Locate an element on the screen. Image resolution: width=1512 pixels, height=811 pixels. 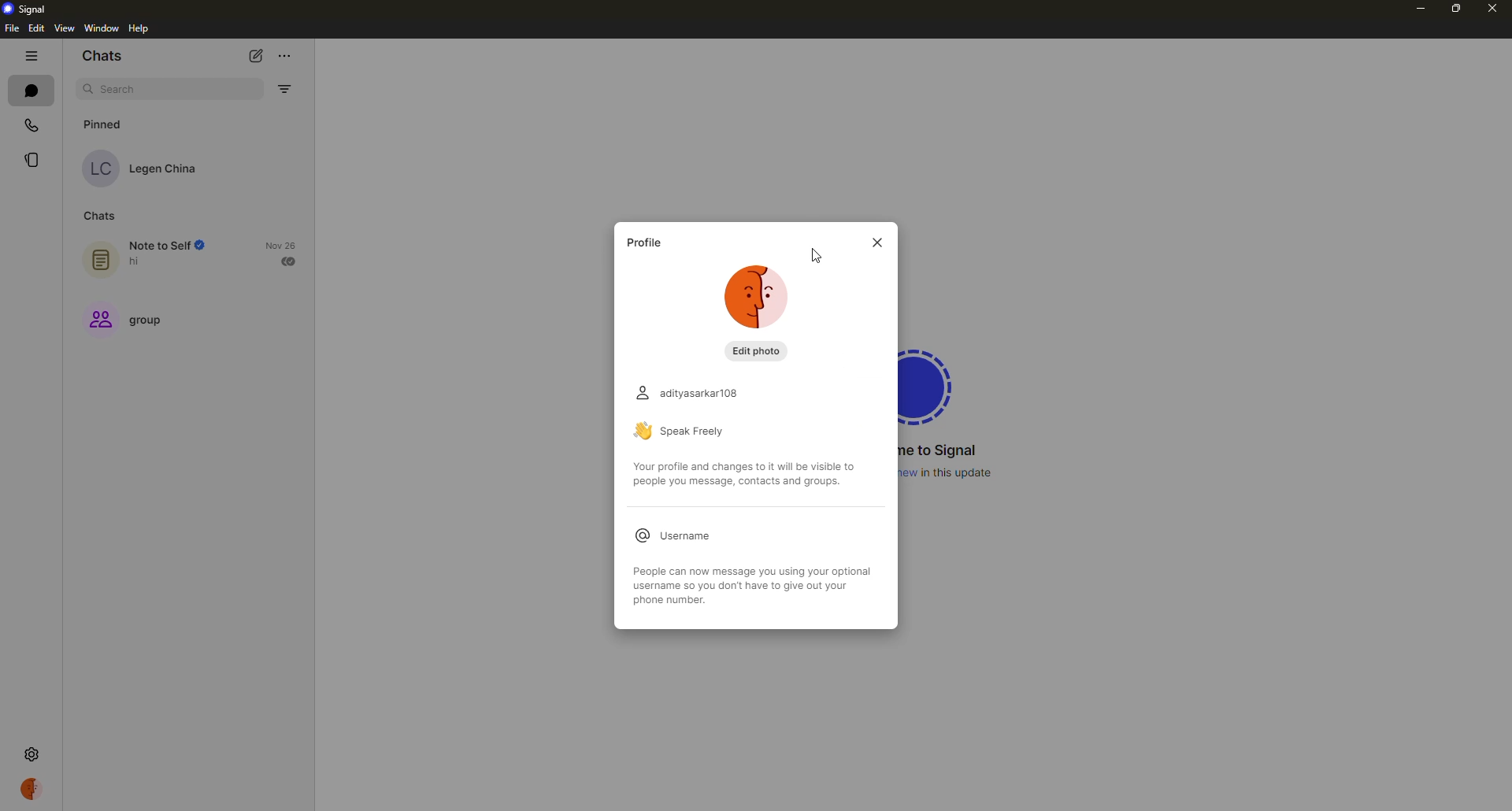
group is located at coordinates (130, 322).